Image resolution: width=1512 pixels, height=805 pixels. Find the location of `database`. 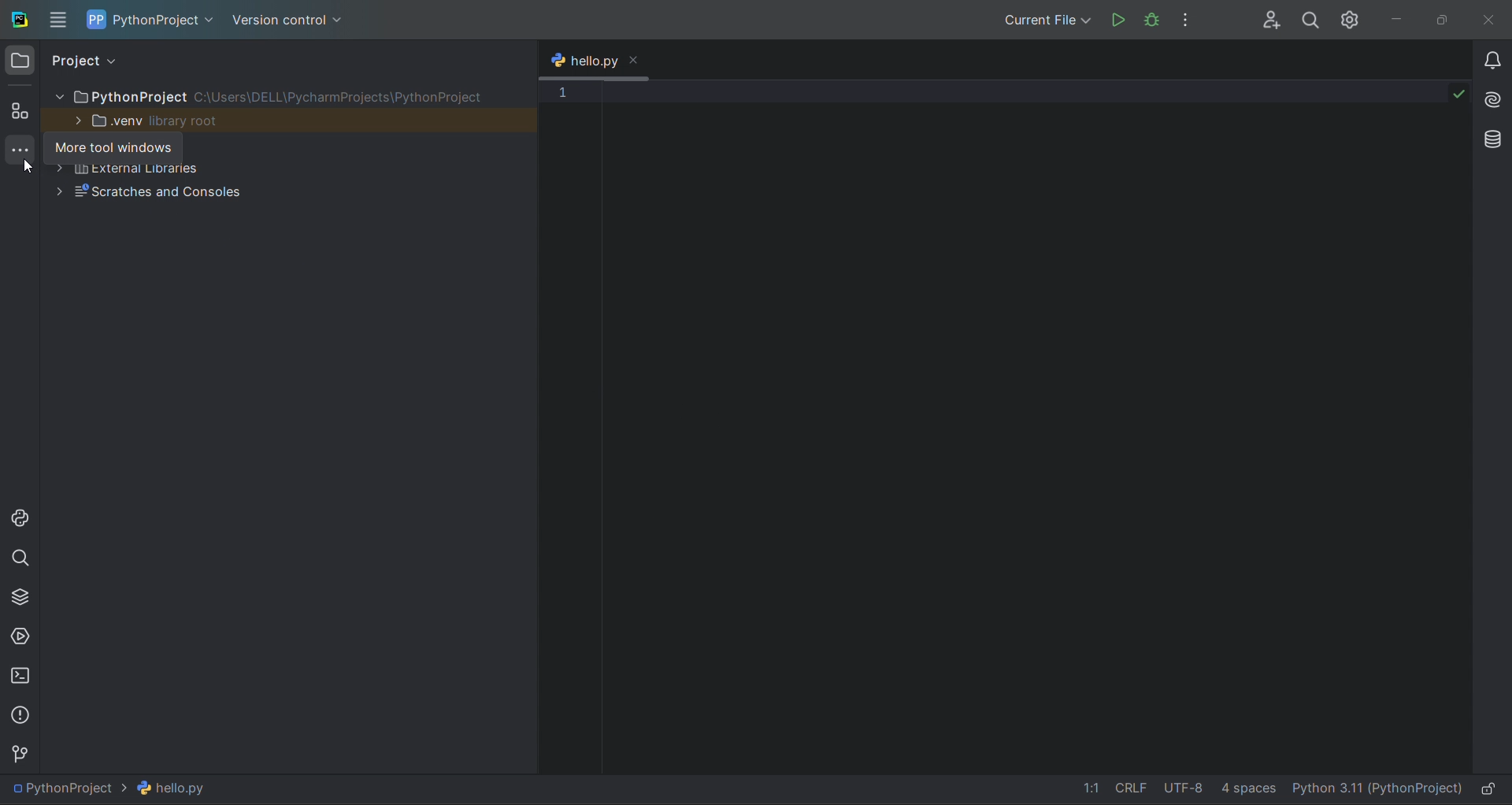

database is located at coordinates (1494, 137).